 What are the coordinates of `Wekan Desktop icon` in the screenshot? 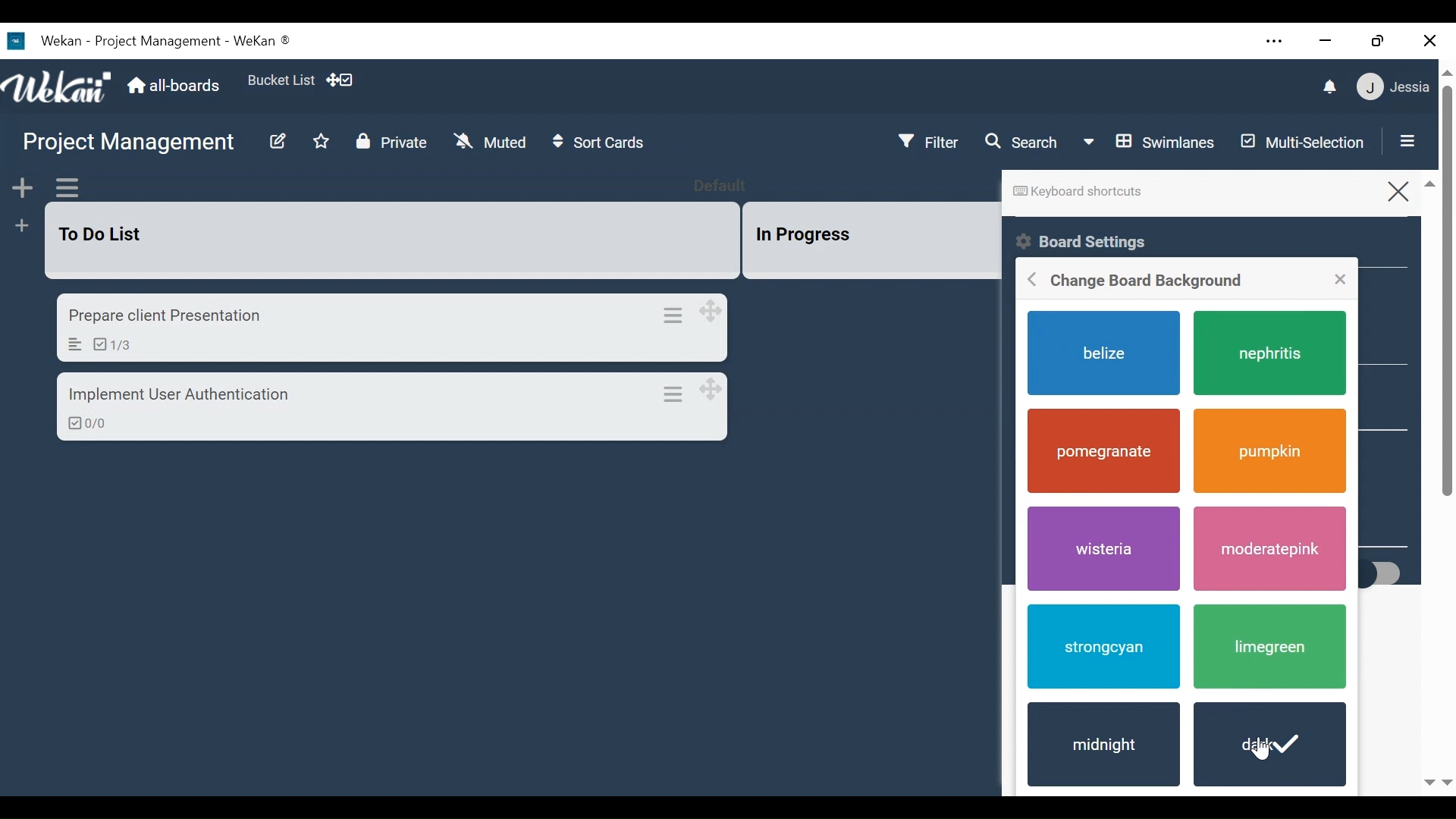 It's located at (157, 42).